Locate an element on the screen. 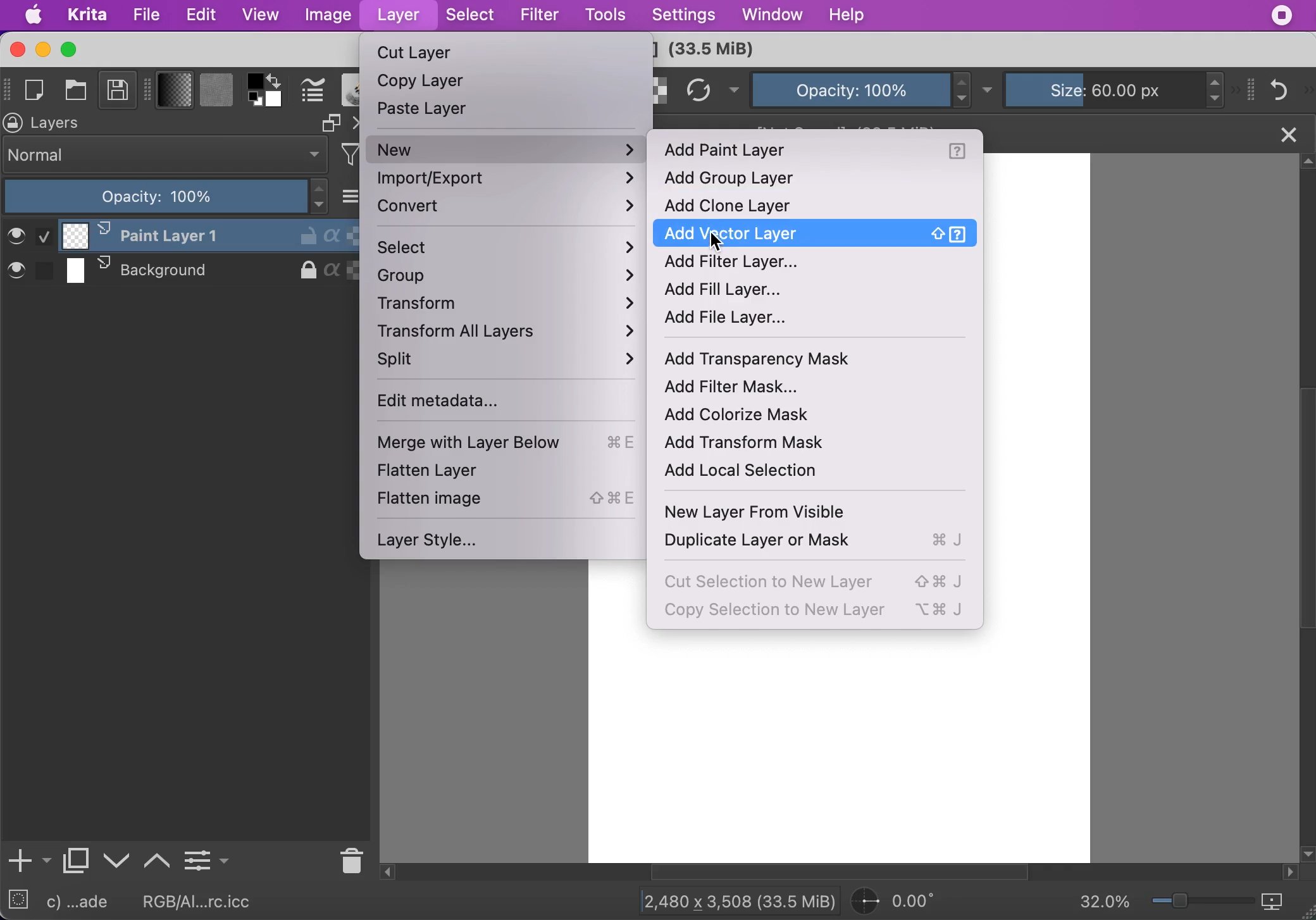 This screenshot has width=1316, height=920. transform all layers is located at coordinates (514, 335).